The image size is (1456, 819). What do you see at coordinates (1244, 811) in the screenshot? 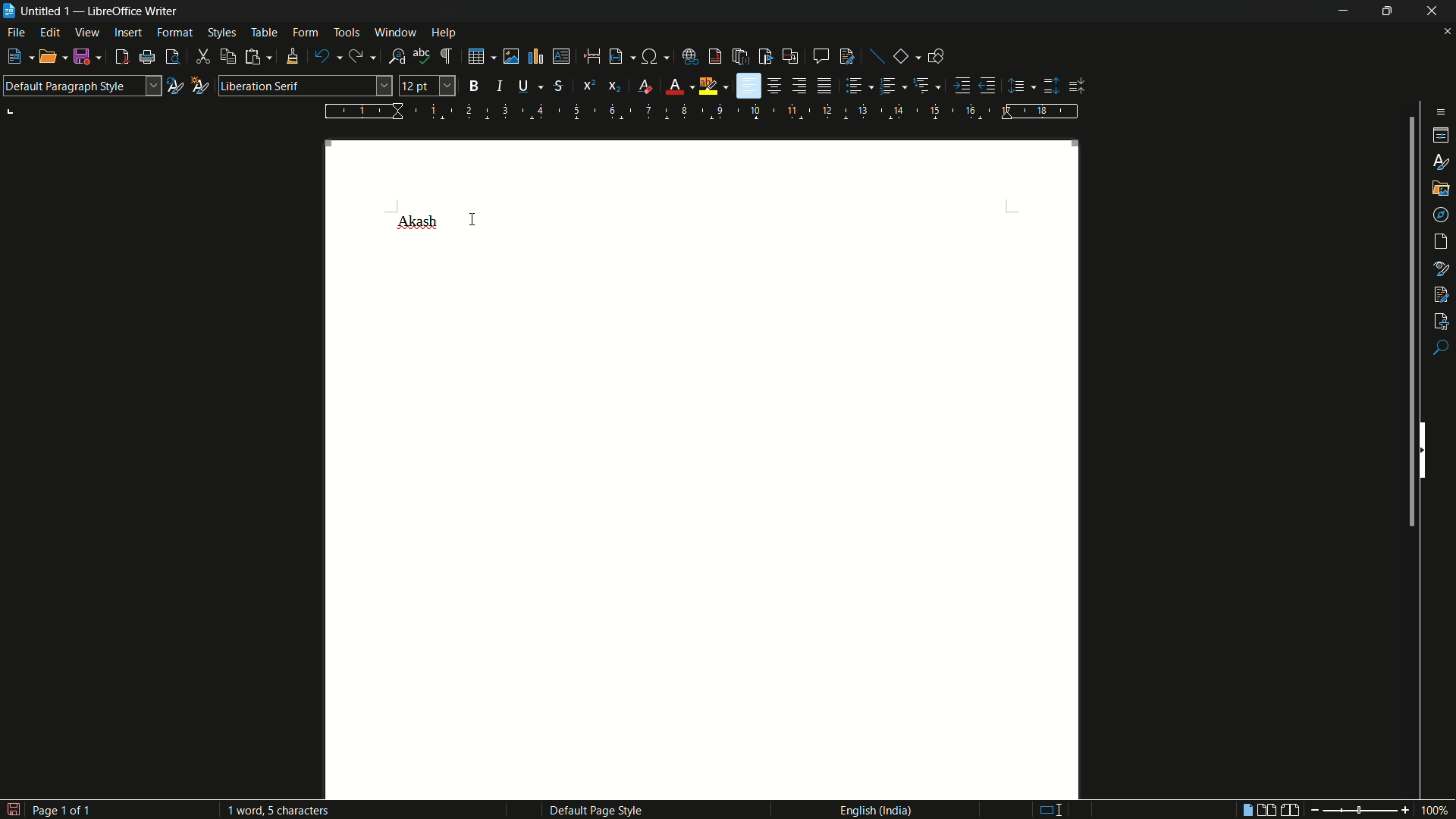
I see `single page` at bounding box center [1244, 811].